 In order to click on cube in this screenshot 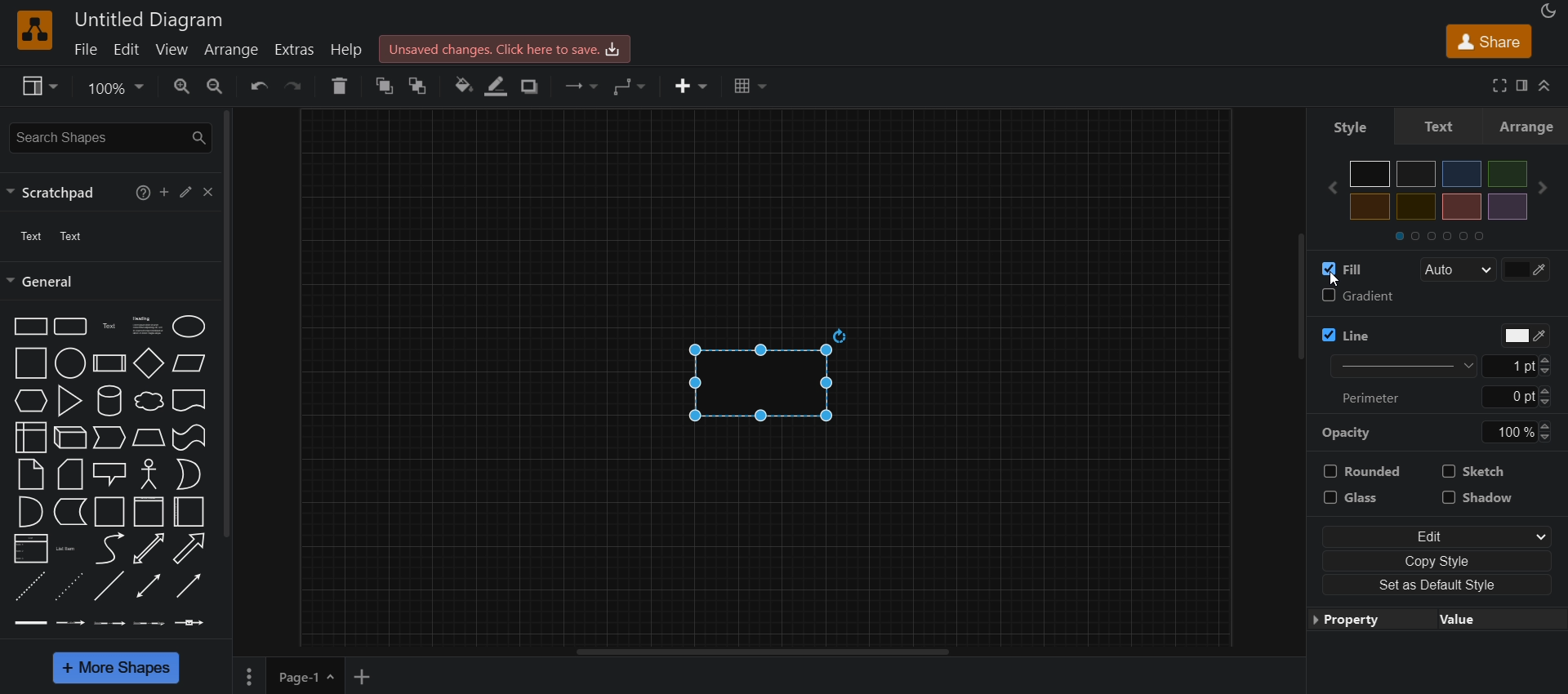, I will do `click(69, 438)`.